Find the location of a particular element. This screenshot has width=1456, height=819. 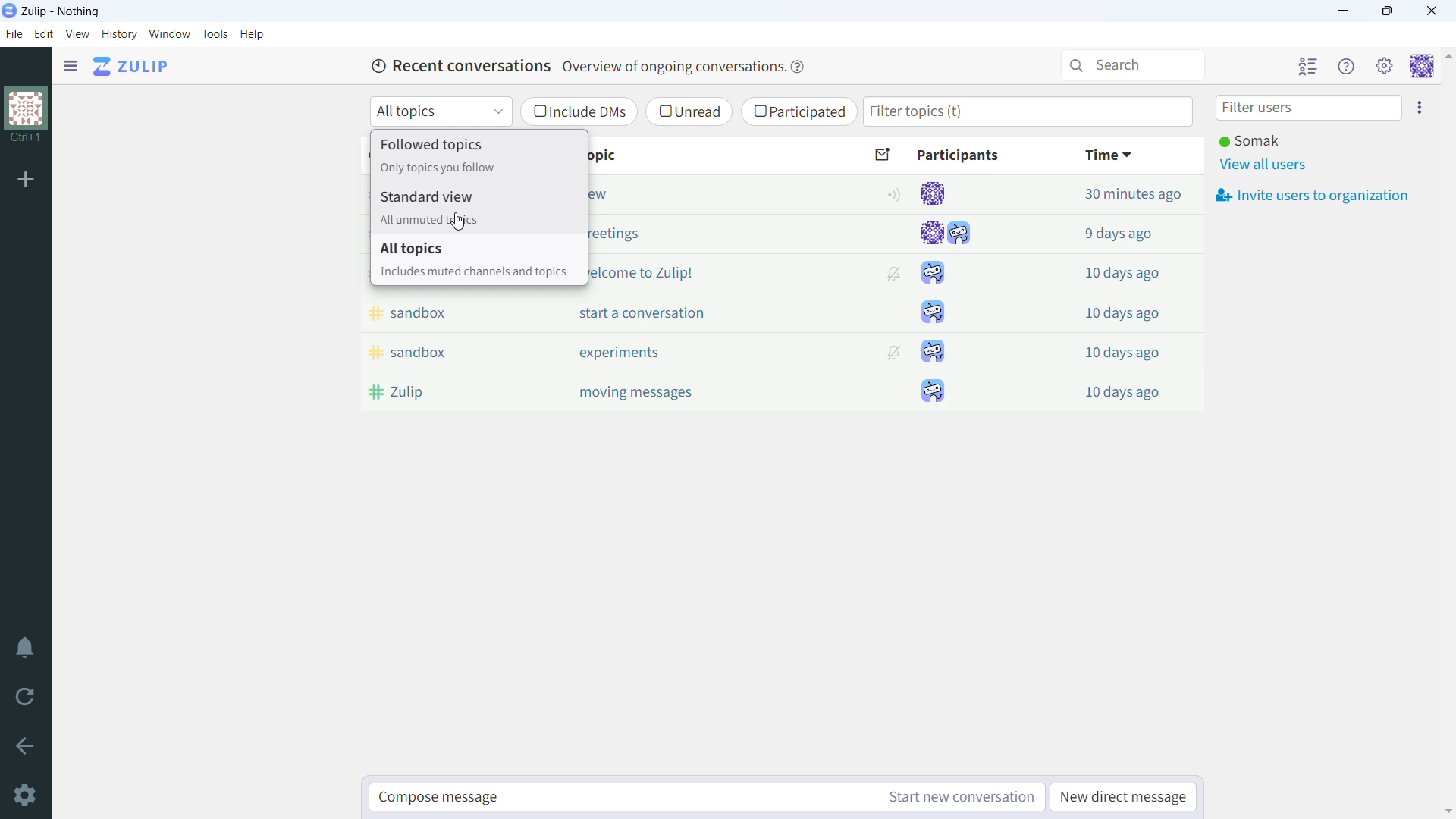

sort by unread message count is located at coordinates (885, 155).